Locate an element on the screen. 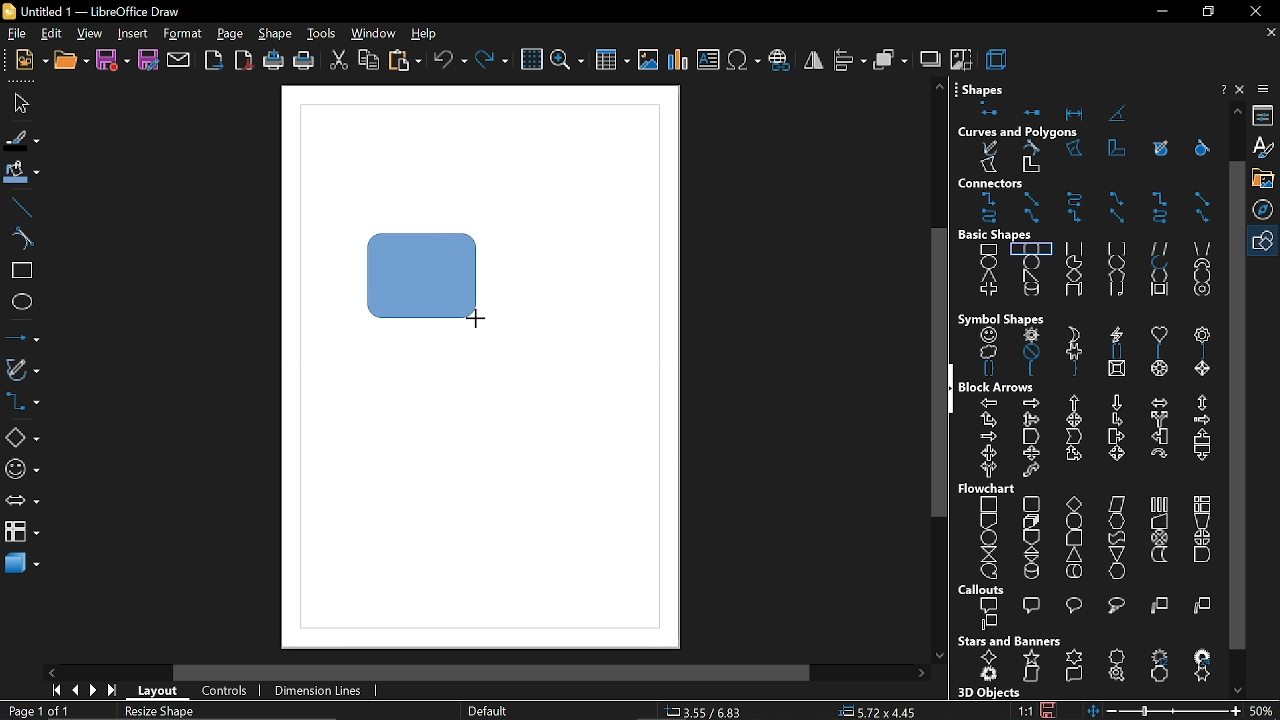  curves and polygons is located at coordinates (1091, 159).